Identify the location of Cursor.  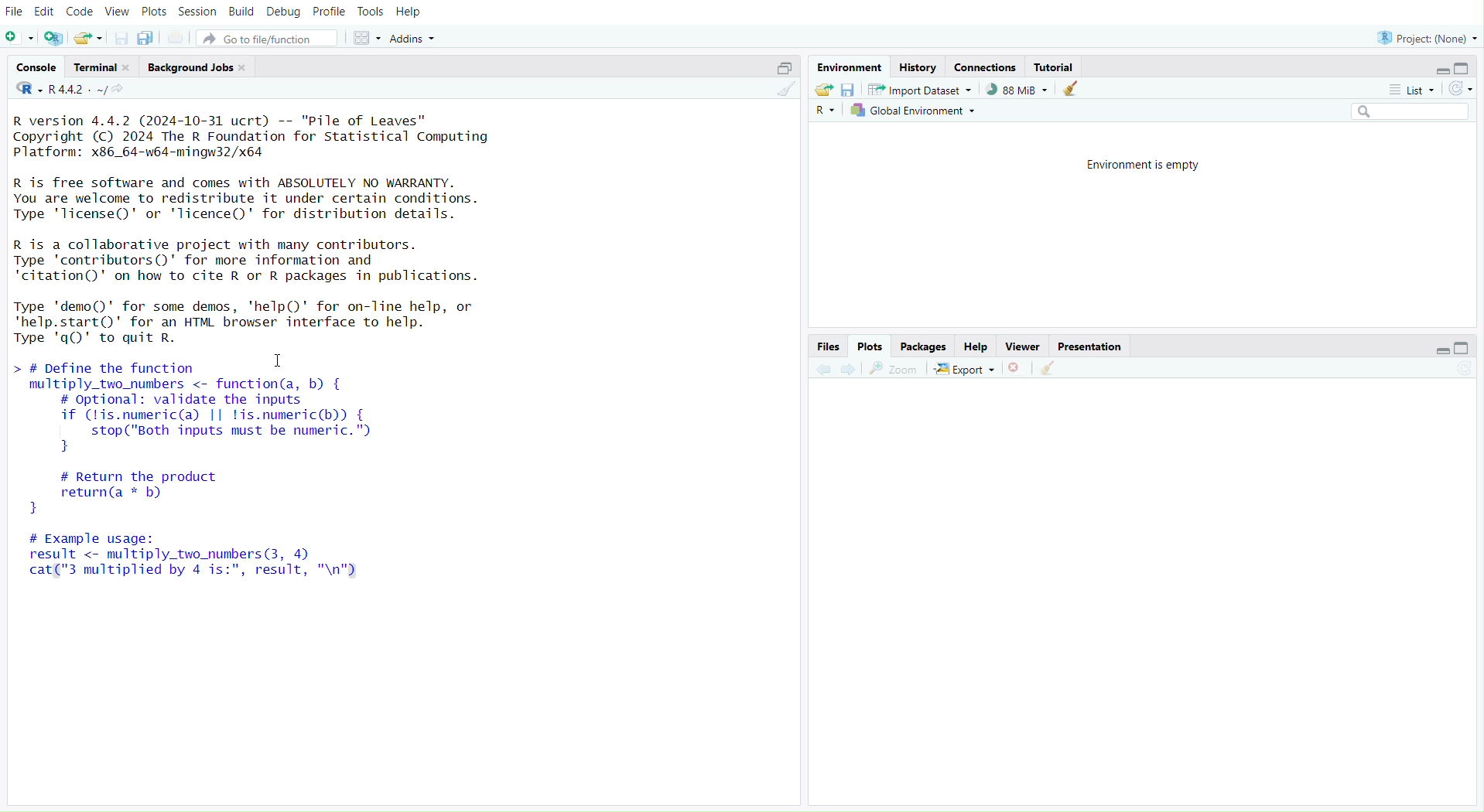
(283, 363).